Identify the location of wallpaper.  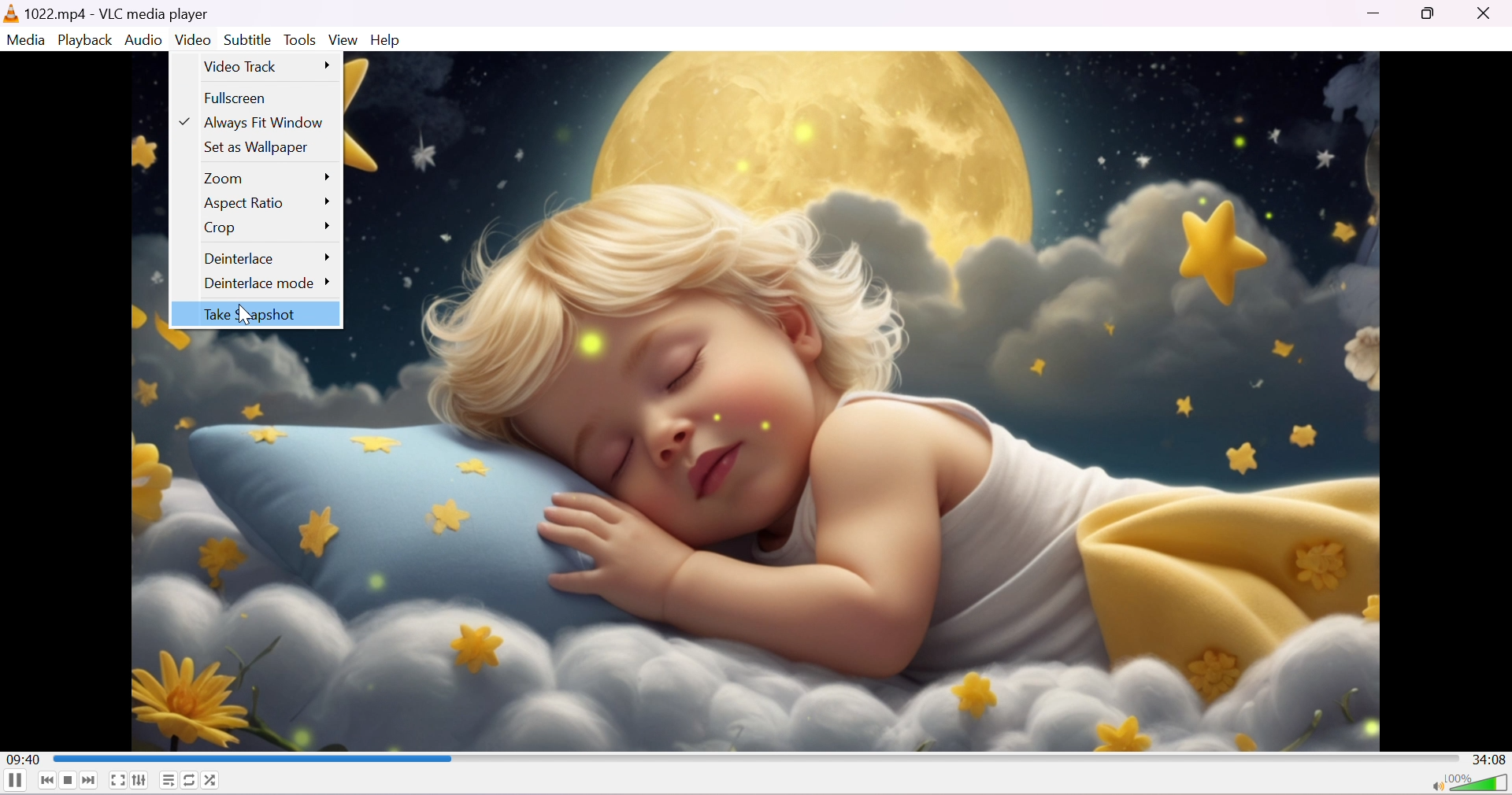
(864, 401).